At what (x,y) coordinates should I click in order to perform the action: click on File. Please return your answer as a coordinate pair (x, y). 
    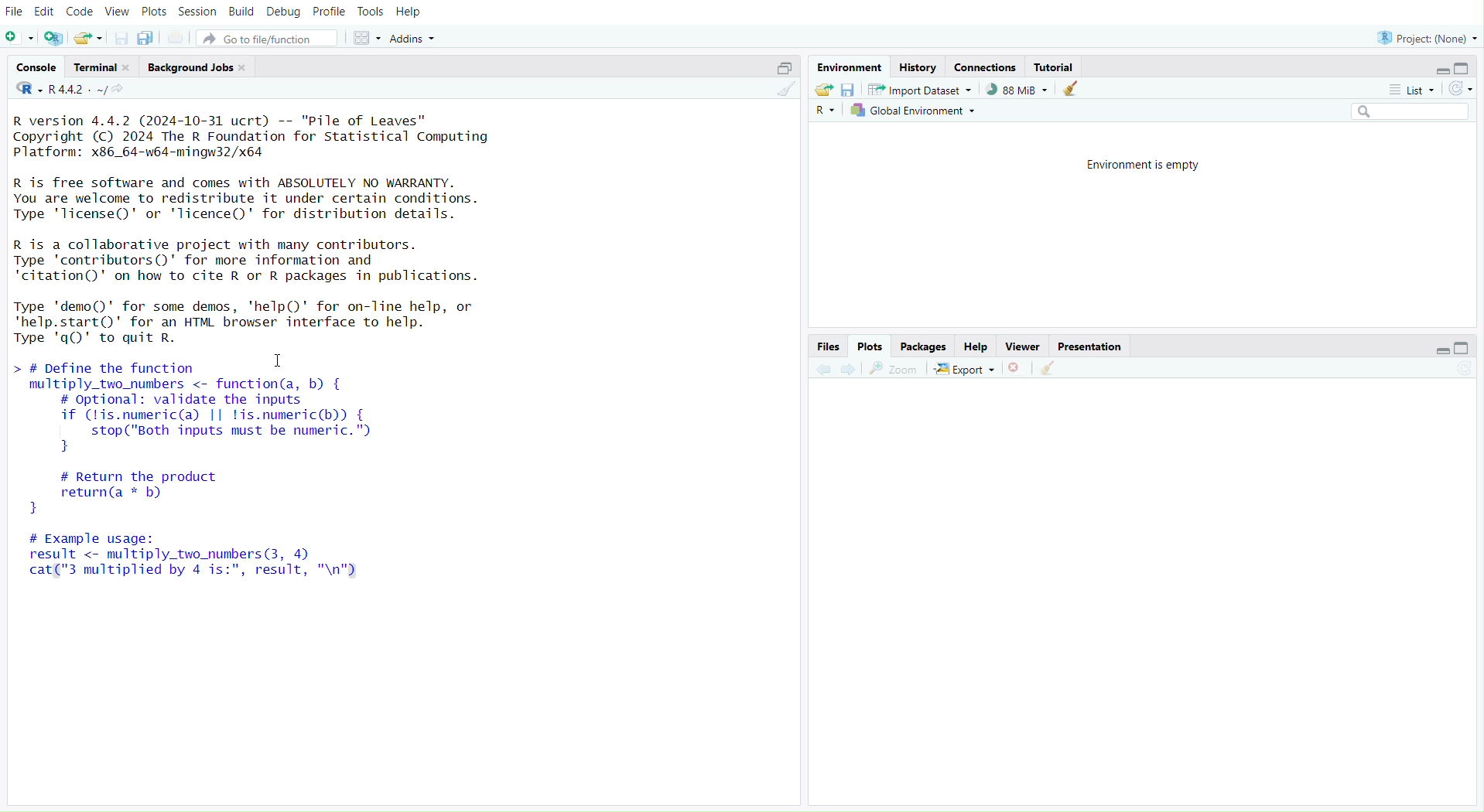
    Looking at the image, I should click on (16, 11).